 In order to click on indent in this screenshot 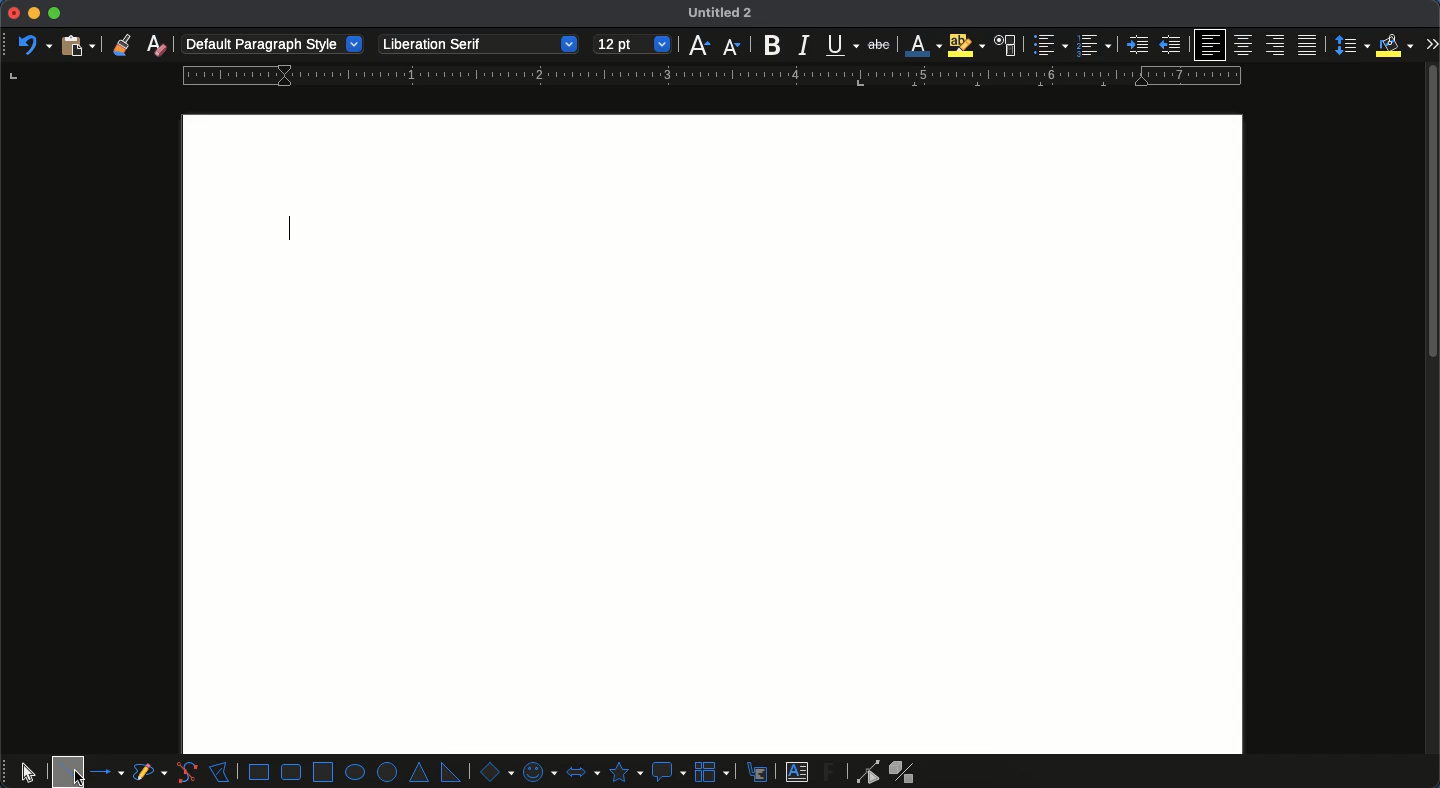, I will do `click(1137, 45)`.